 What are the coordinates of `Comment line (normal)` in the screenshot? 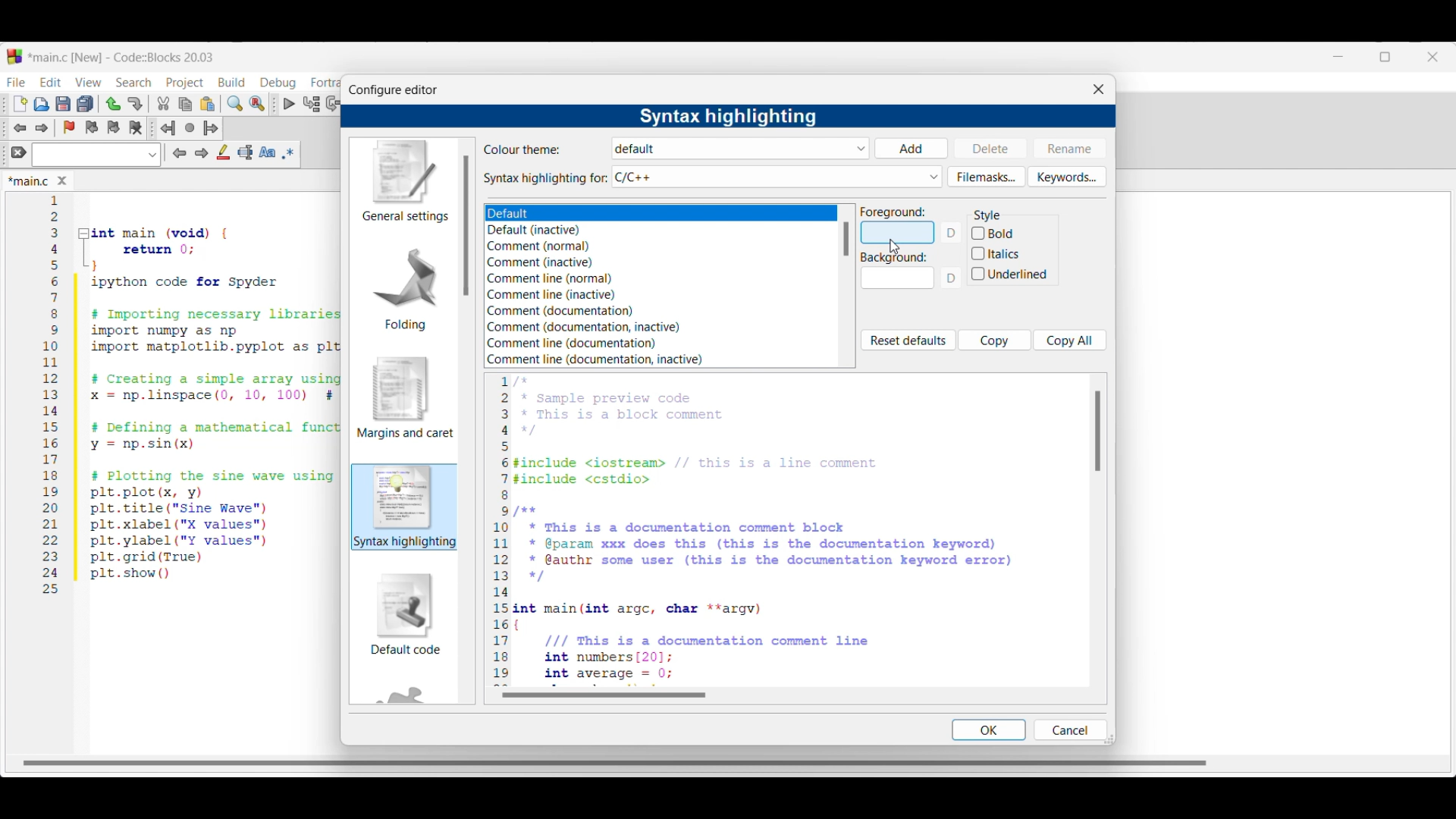 It's located at (550, 278).